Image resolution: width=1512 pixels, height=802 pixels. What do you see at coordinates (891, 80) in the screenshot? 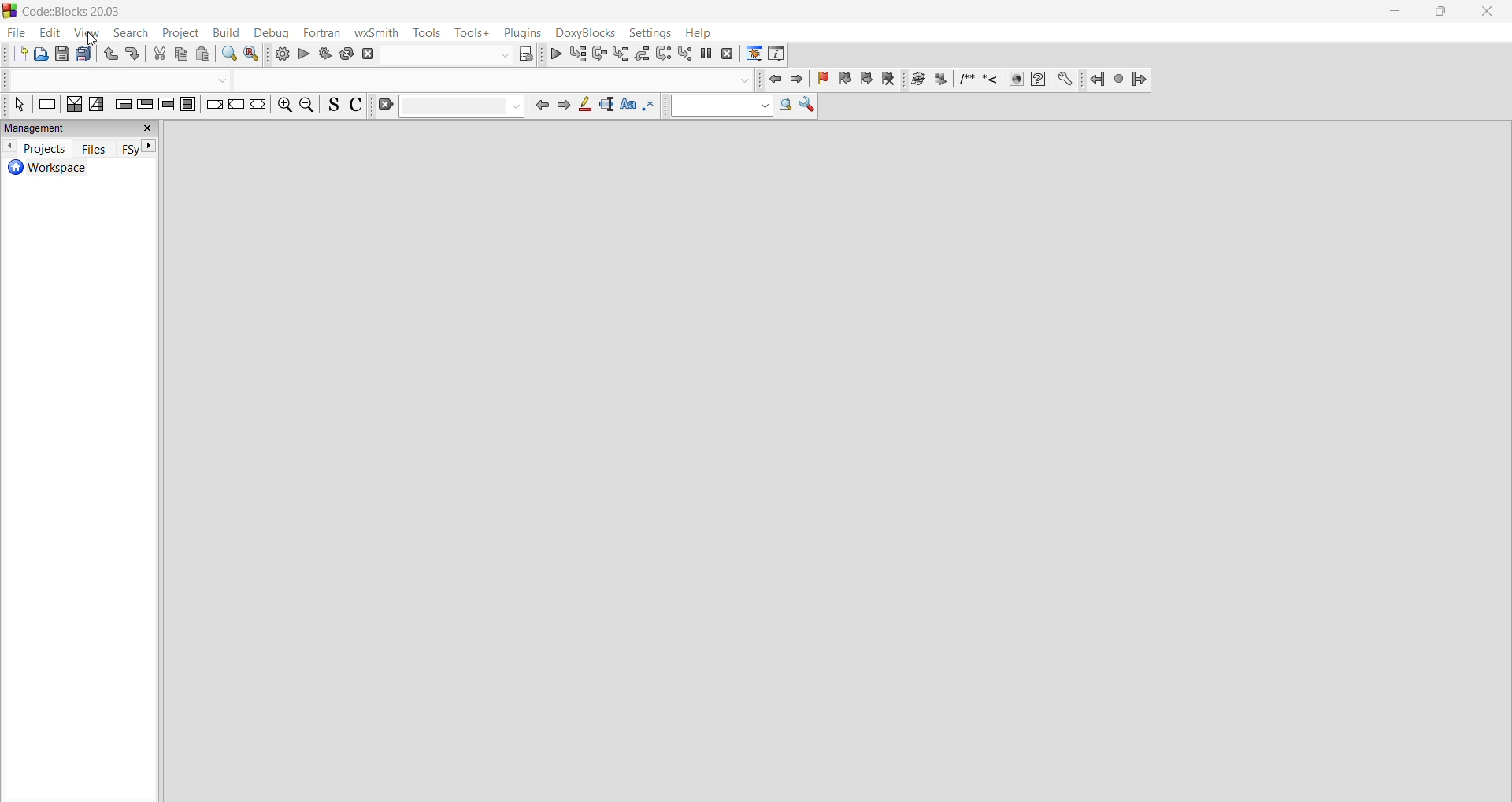
I see `clear bookmark` at bounding box center [891, 80].